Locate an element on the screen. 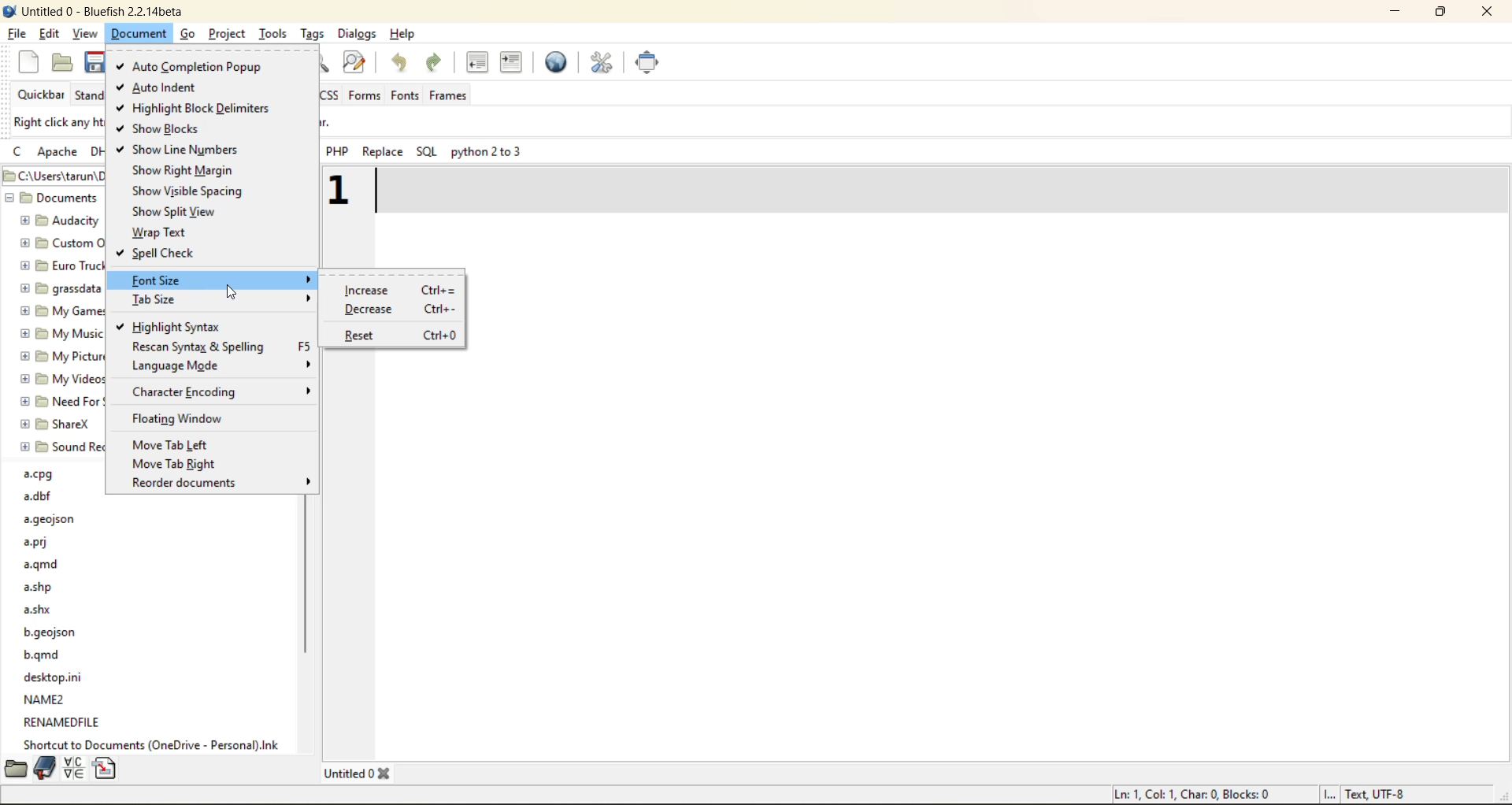  tags is located at coordinates (314, 32).